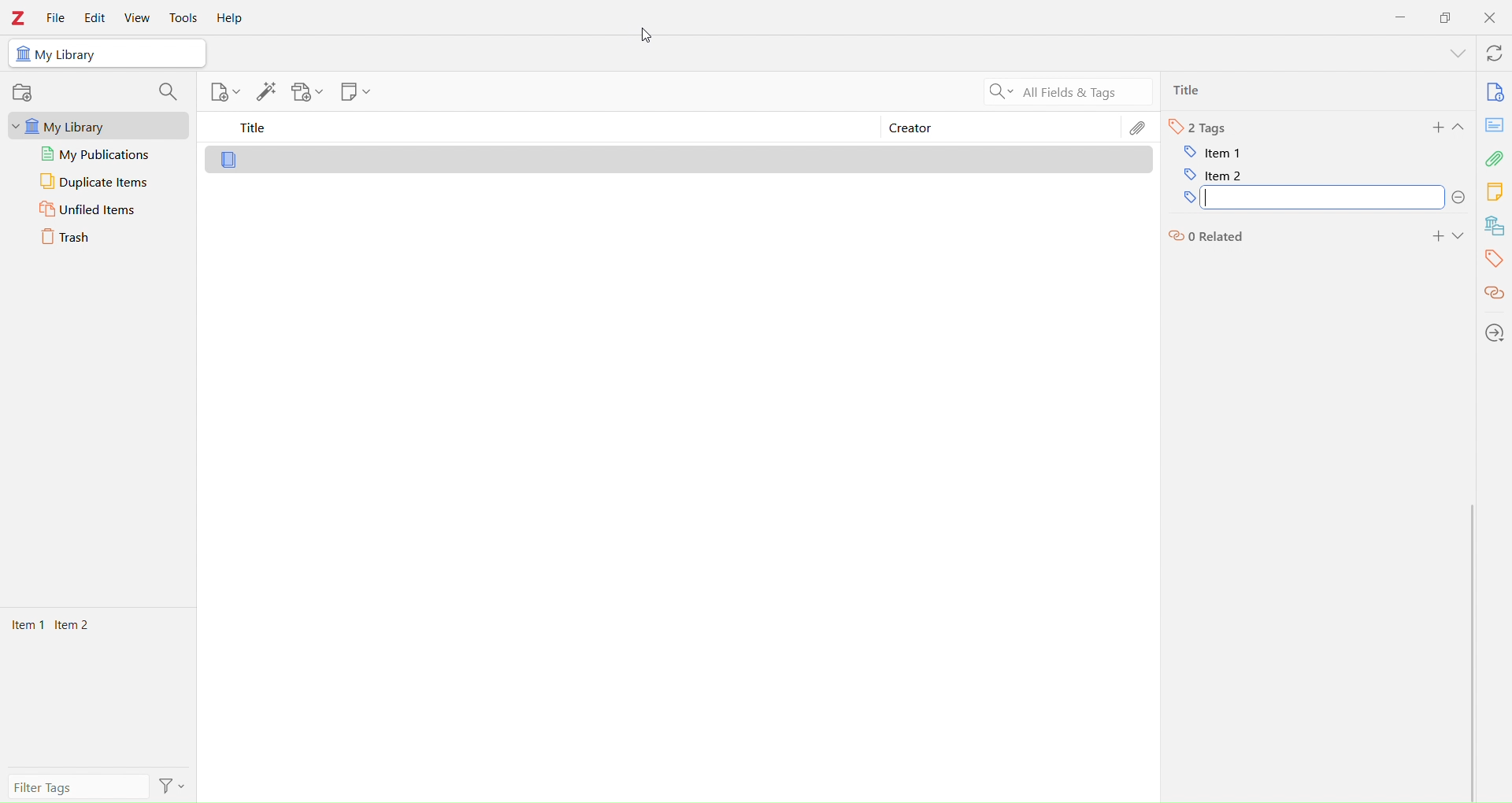  What do you see at coordinates (1494, 206) in the screenshot?
I see `Library tools bar` at bounding box center [1494, 206].